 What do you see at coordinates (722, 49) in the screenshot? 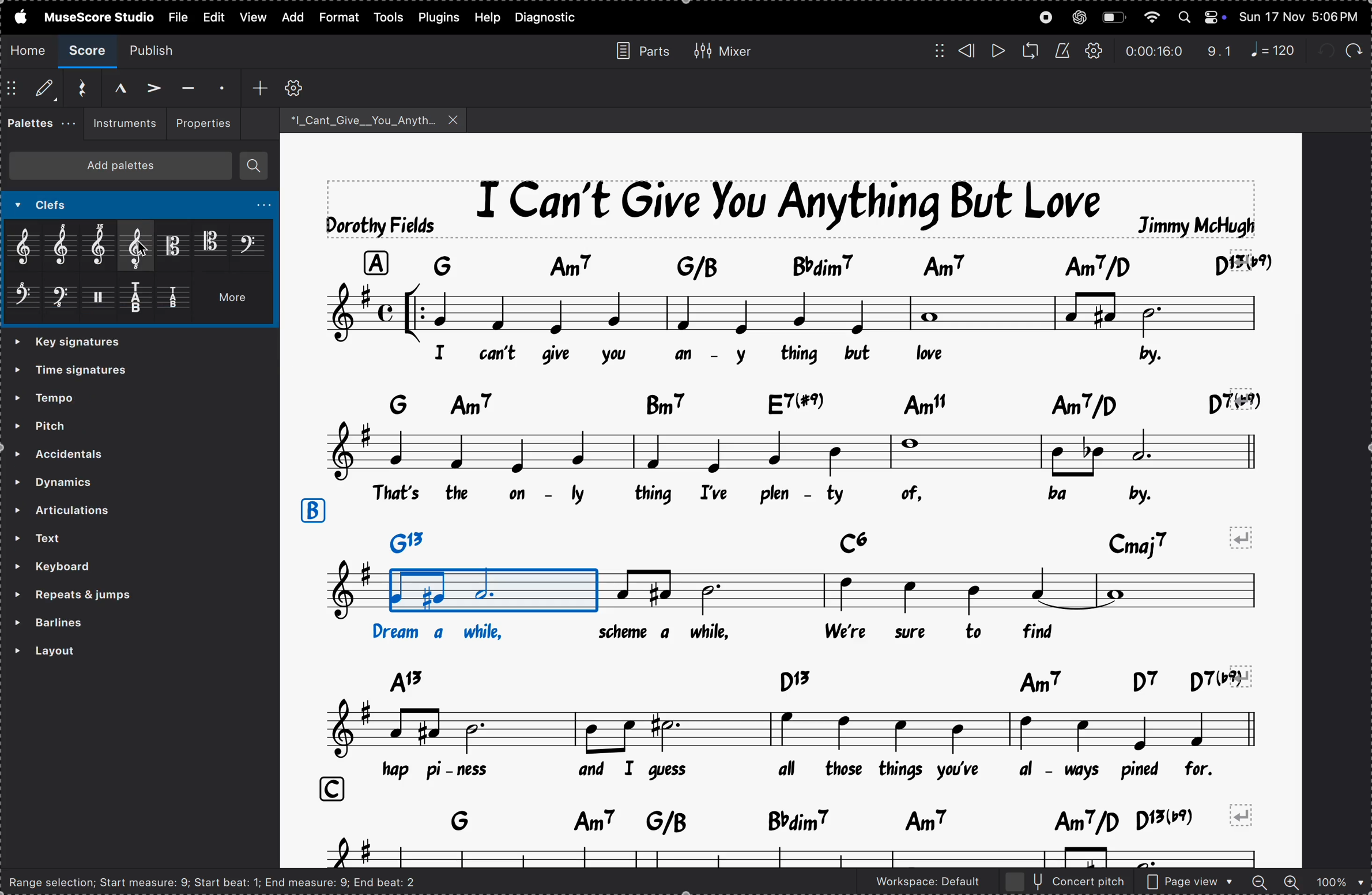
I see `mixer` at bounding box center [722, 49].